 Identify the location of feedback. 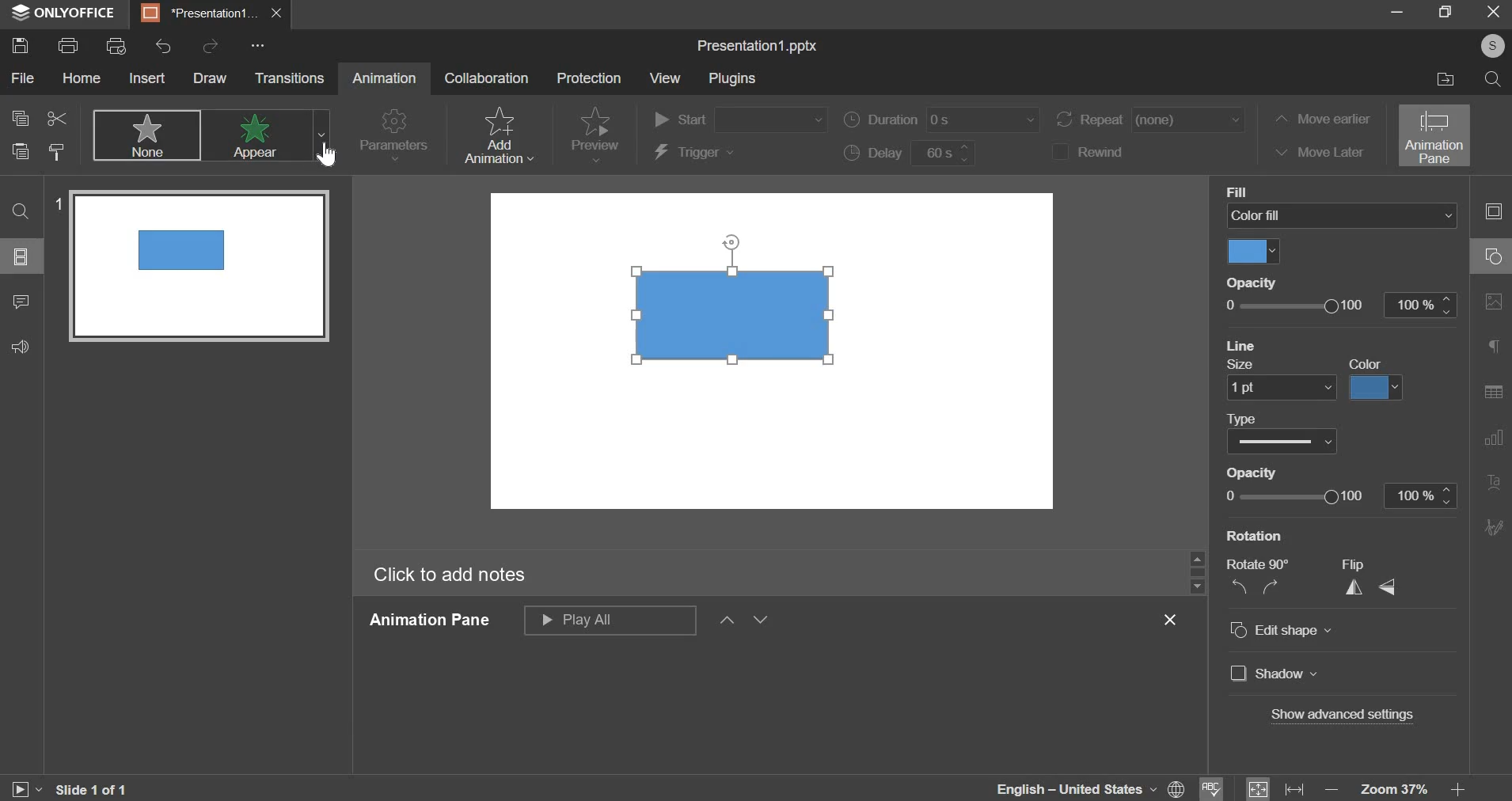
(21, 347).